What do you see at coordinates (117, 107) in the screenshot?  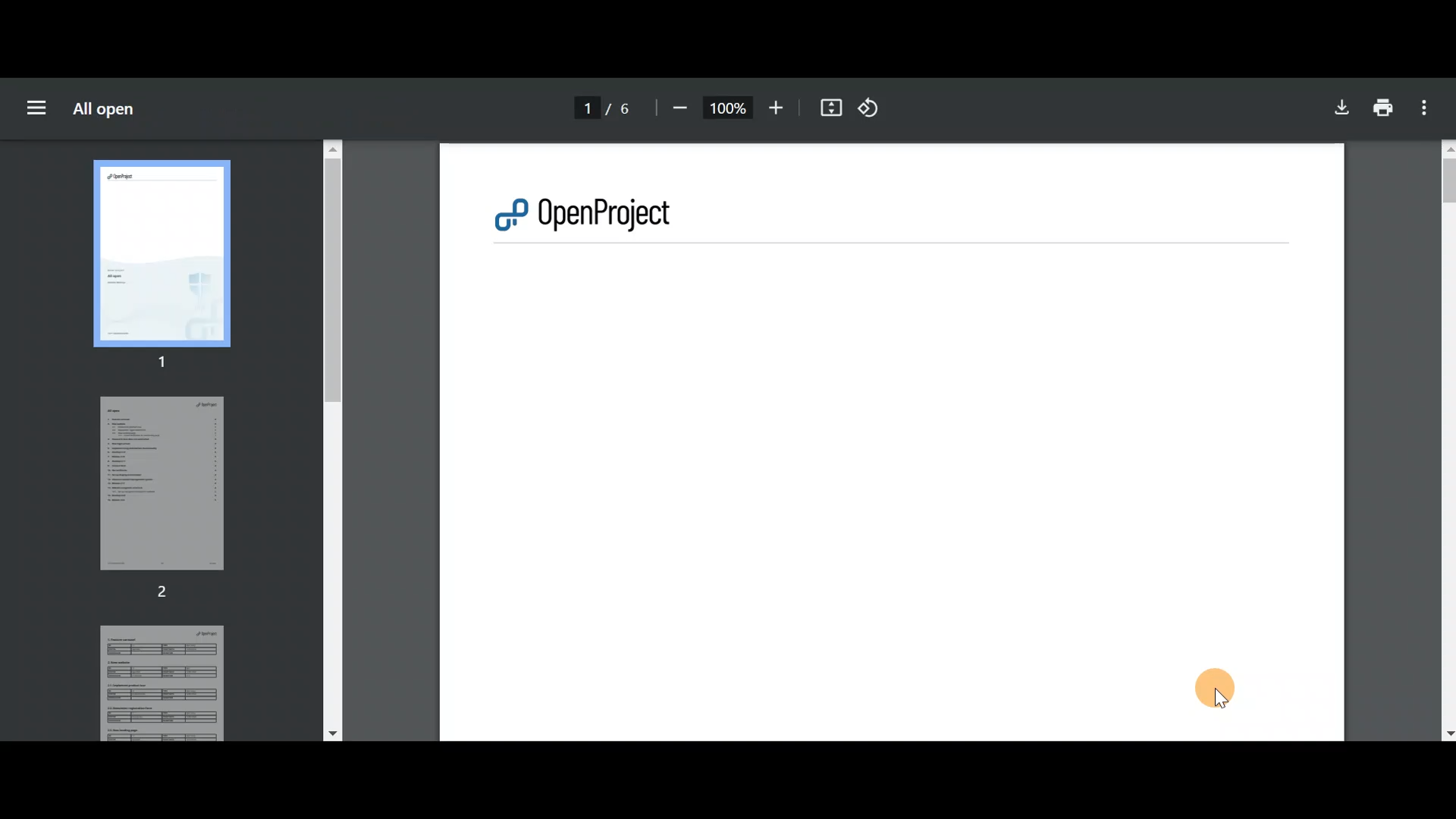 I see `All open` at bounding box center [117, 107].